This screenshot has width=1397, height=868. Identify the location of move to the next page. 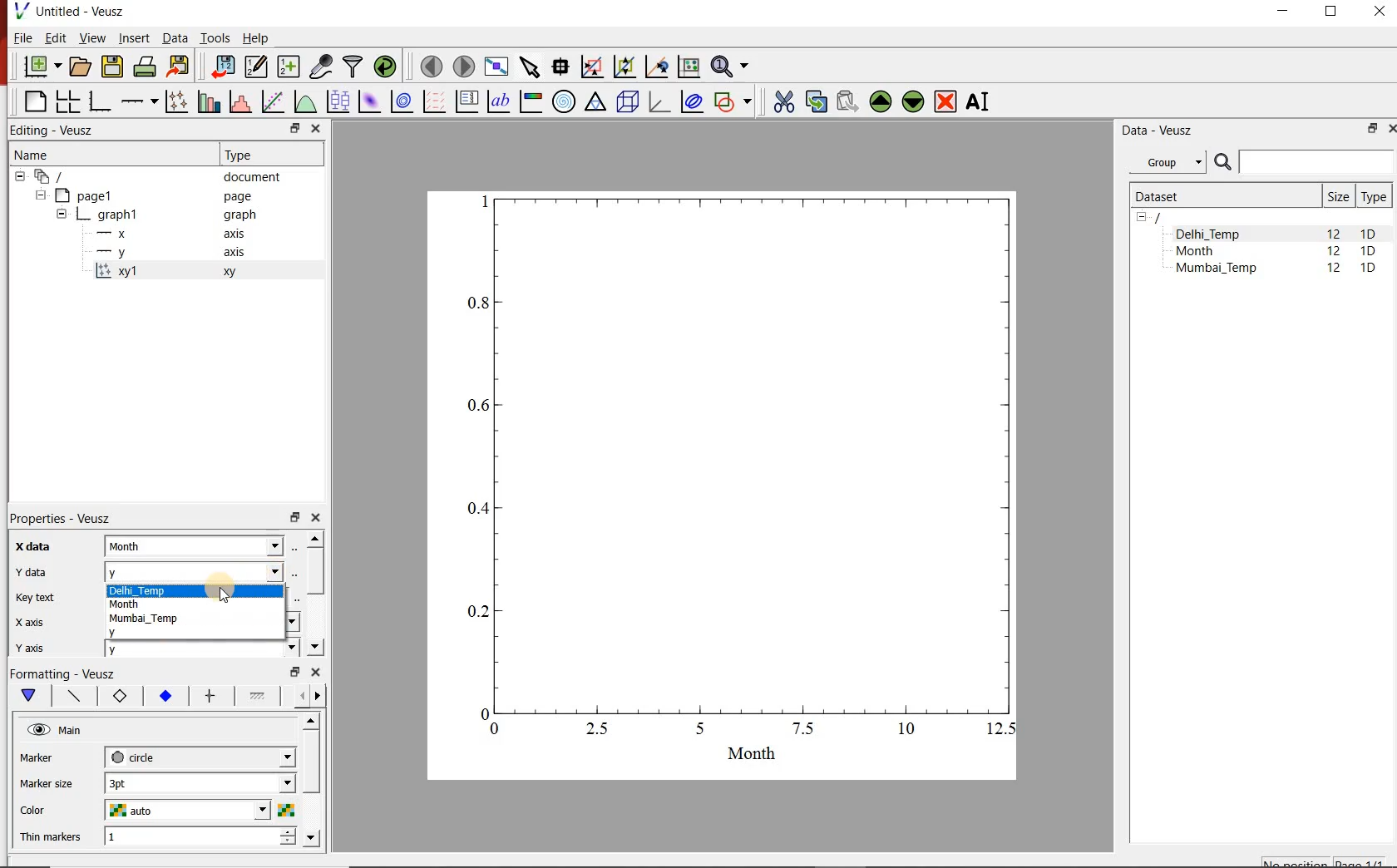
(464, 67).